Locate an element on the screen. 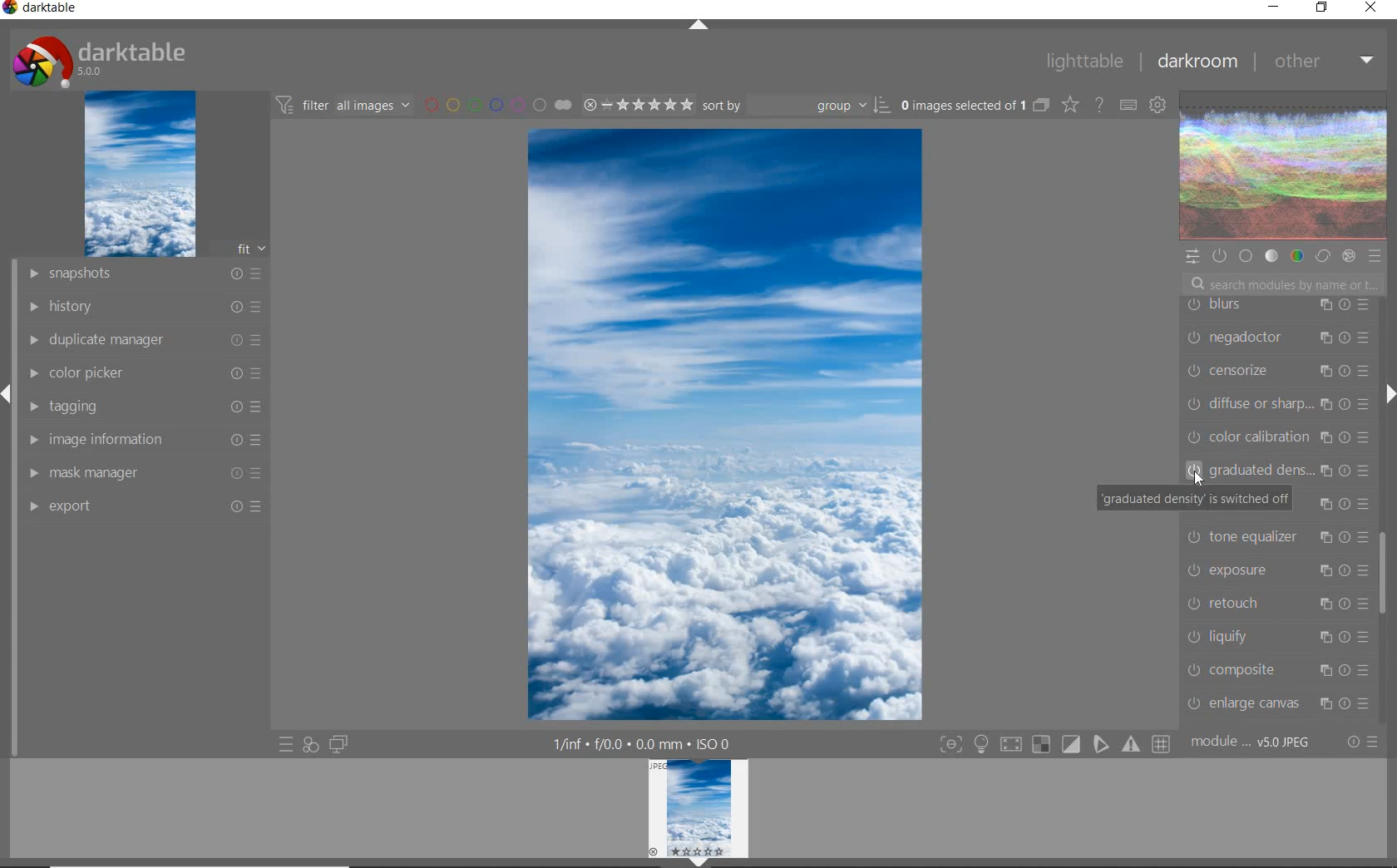 Image resolution: width=1397 pixels, height=868 pixels. SHOW GLOBAL PREFERENCE is located at coordinates (1157, 106).